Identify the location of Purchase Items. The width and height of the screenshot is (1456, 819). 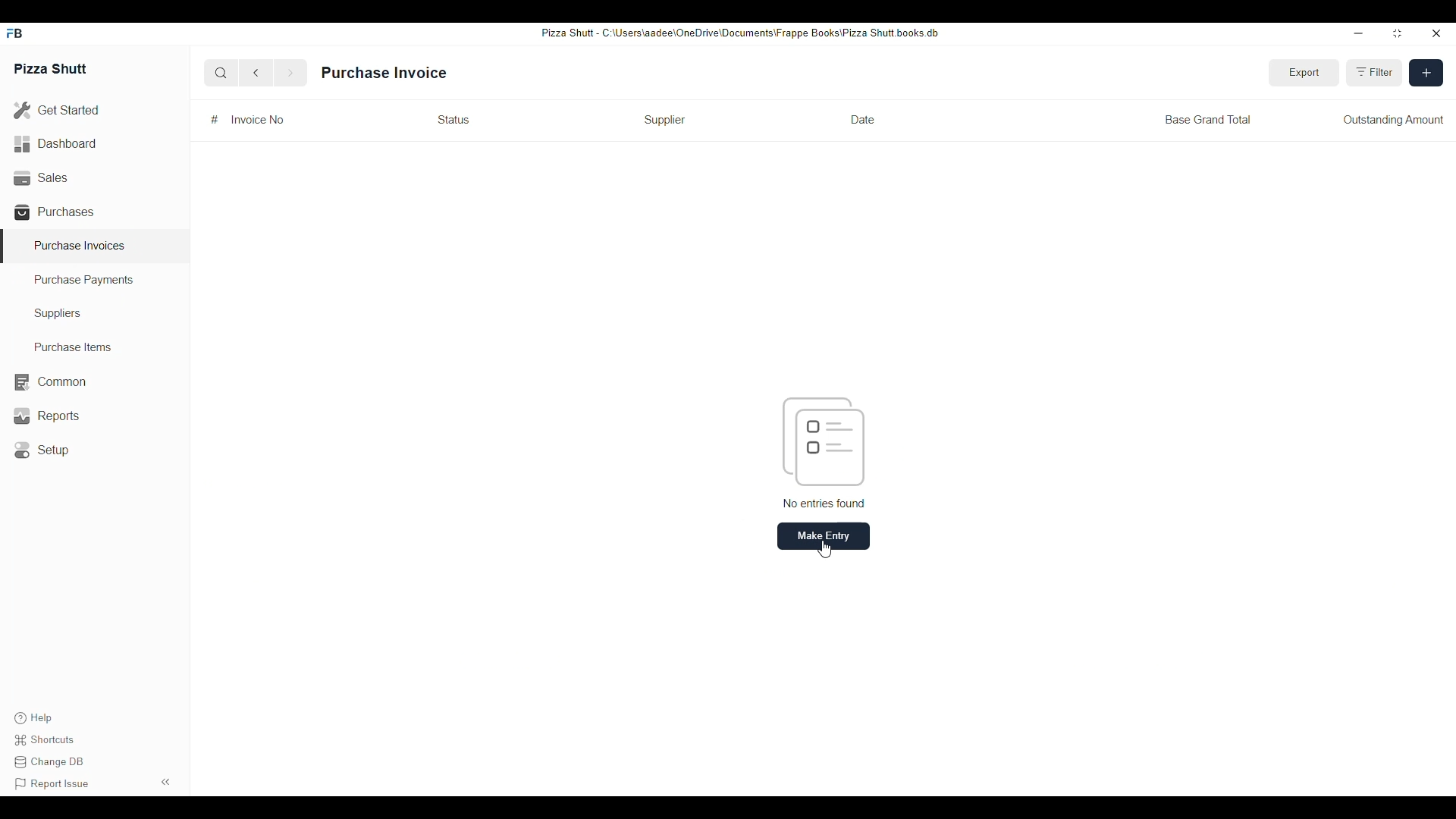
(67, 347).